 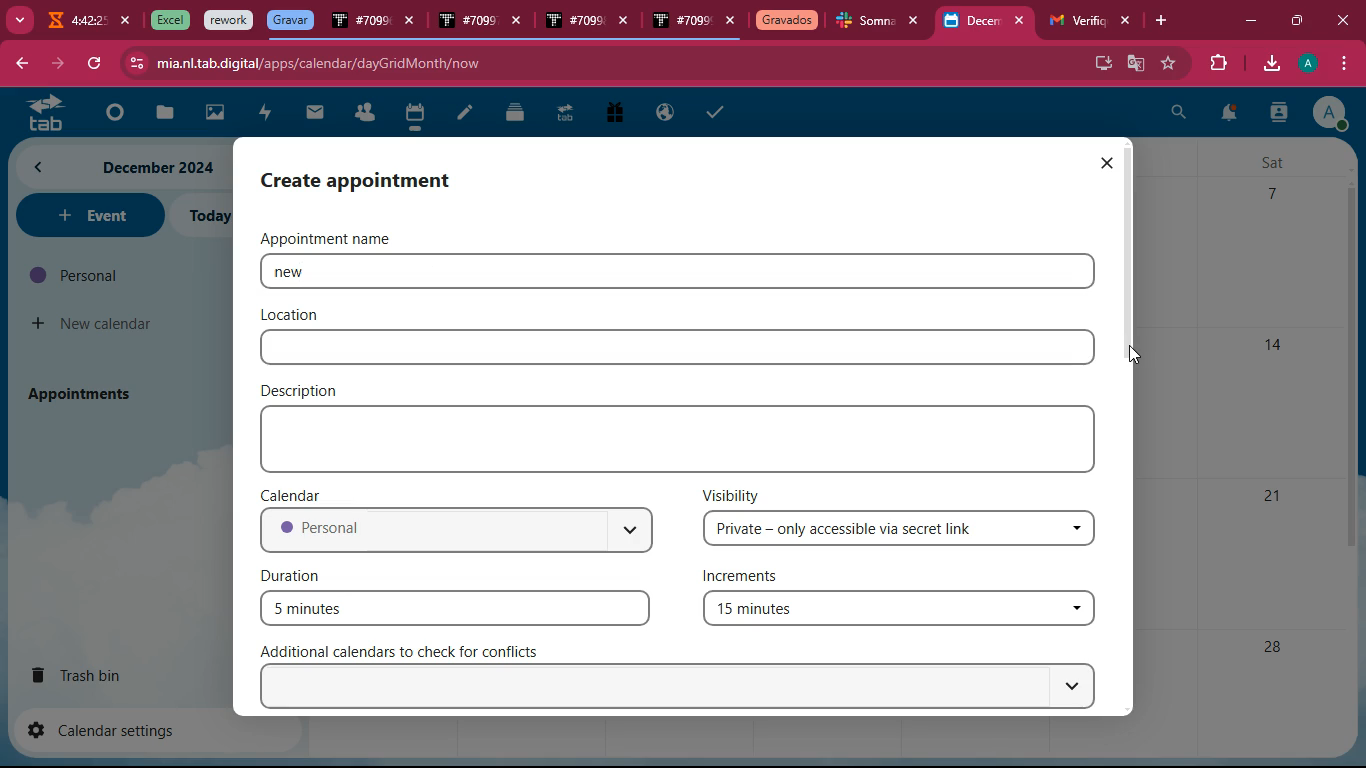 I want to click on type, so click(x=677, y=348).